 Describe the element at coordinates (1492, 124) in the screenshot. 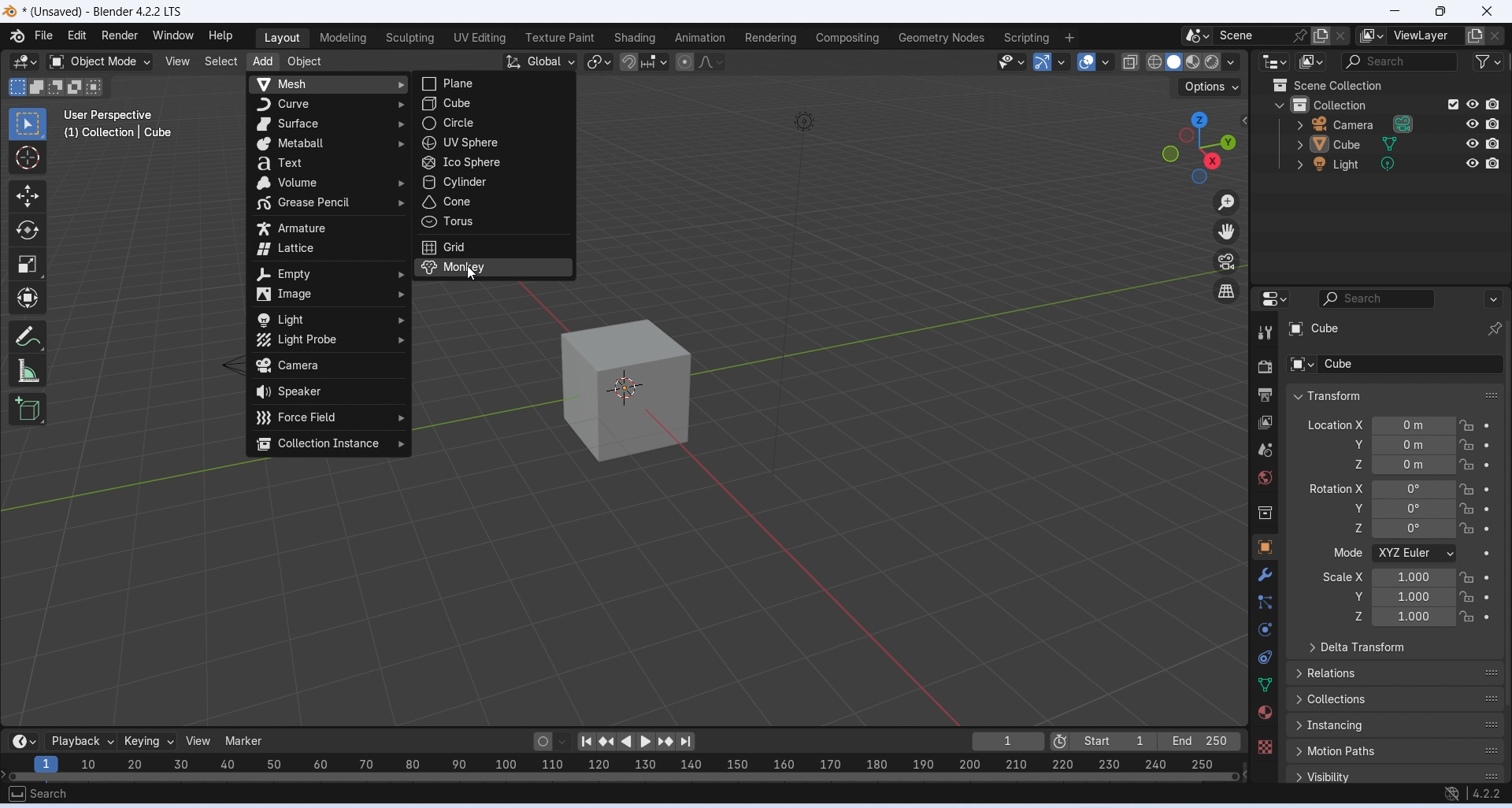

I see `disable in renders` at that location.